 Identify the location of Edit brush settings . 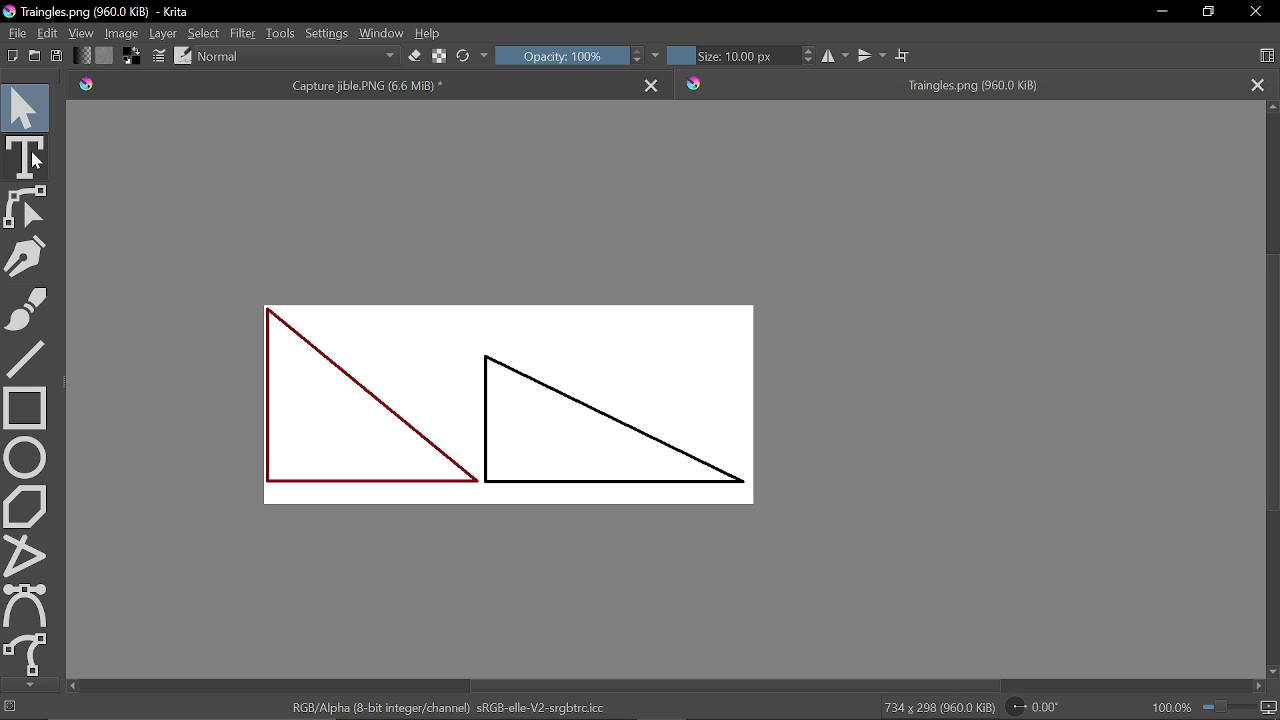
(160, 57).